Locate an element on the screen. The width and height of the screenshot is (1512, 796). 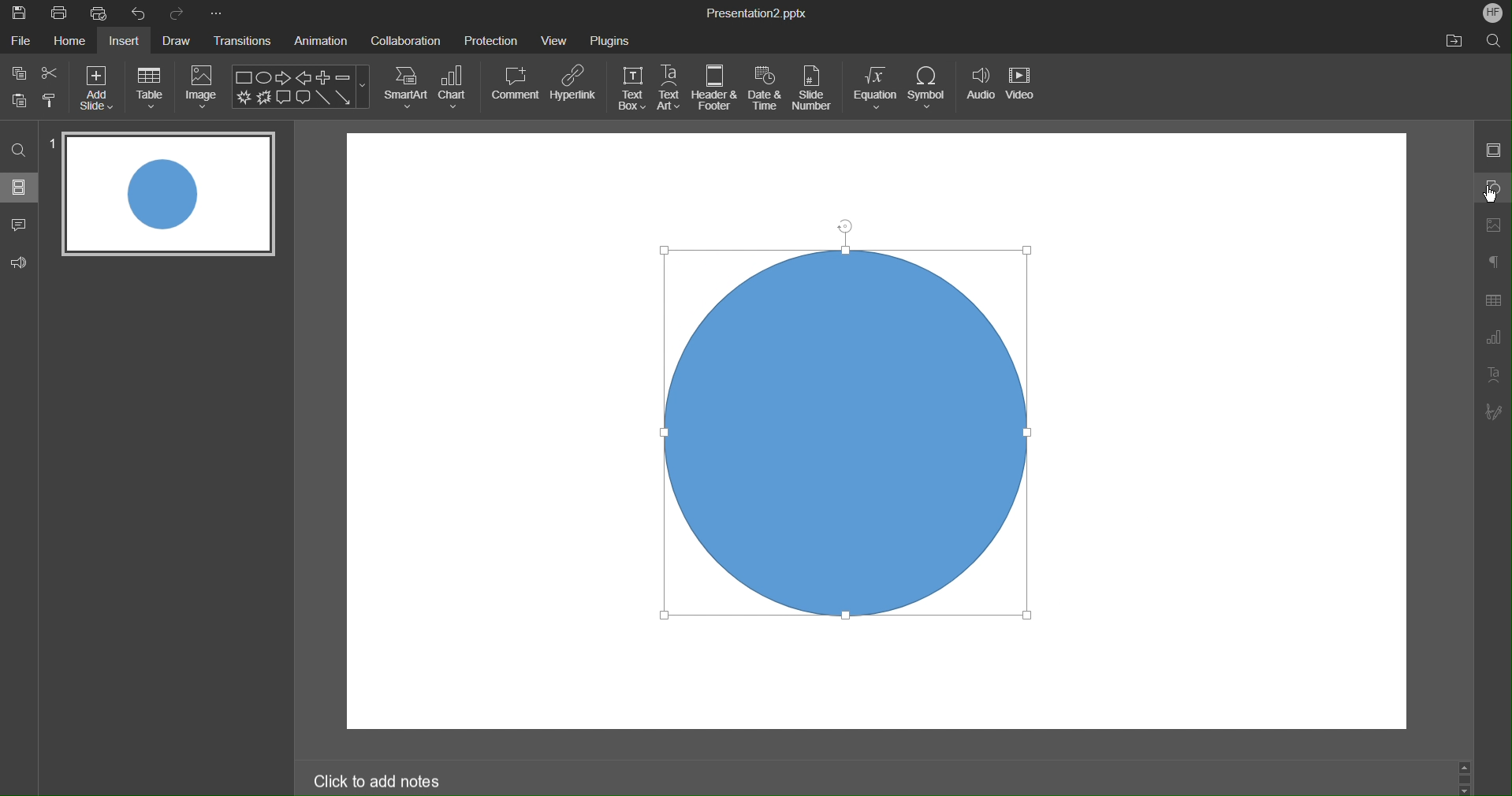
Video is located at coordinates (1023, 90).